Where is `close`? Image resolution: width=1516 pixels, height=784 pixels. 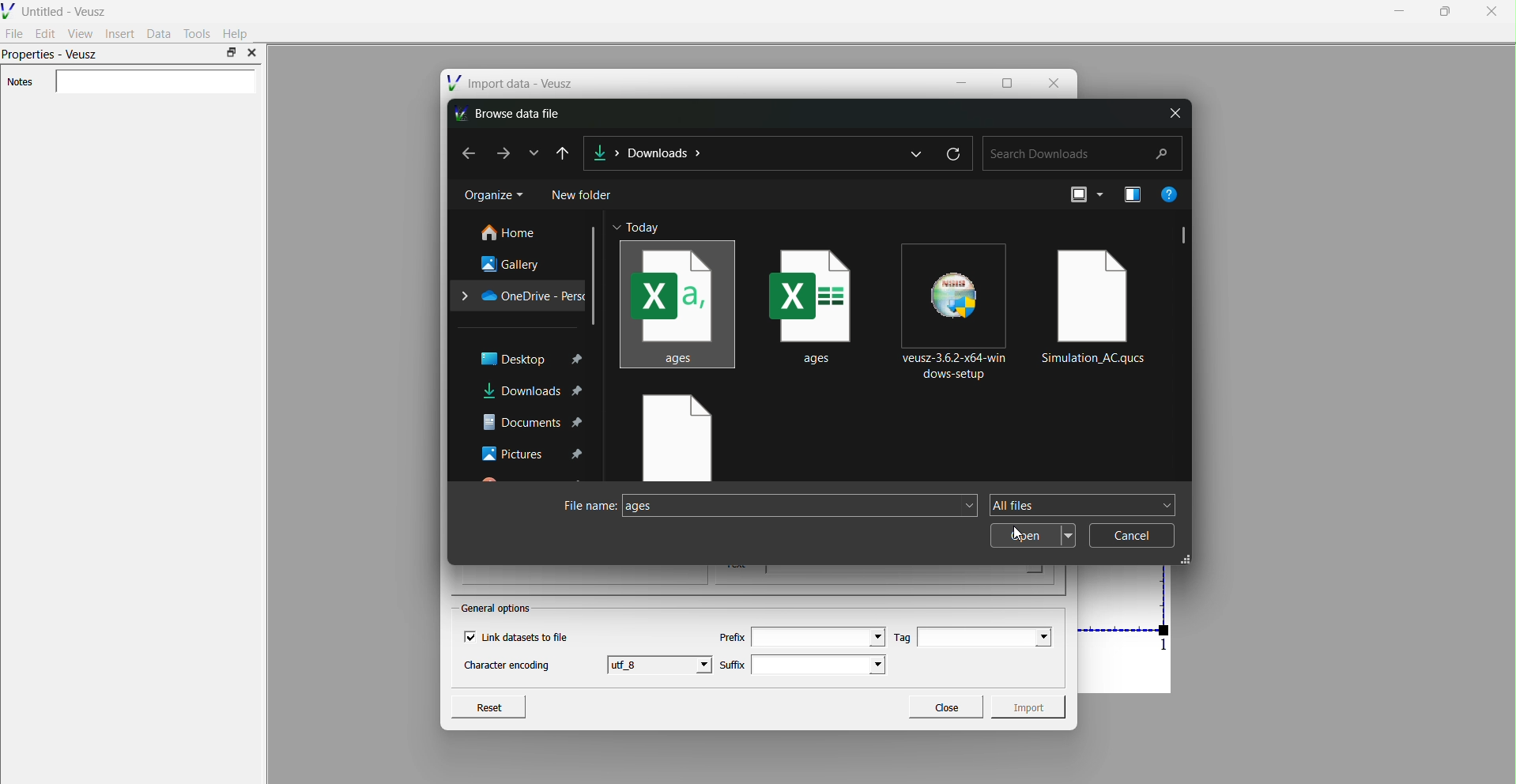 close is located at coordinates (1173, 114).